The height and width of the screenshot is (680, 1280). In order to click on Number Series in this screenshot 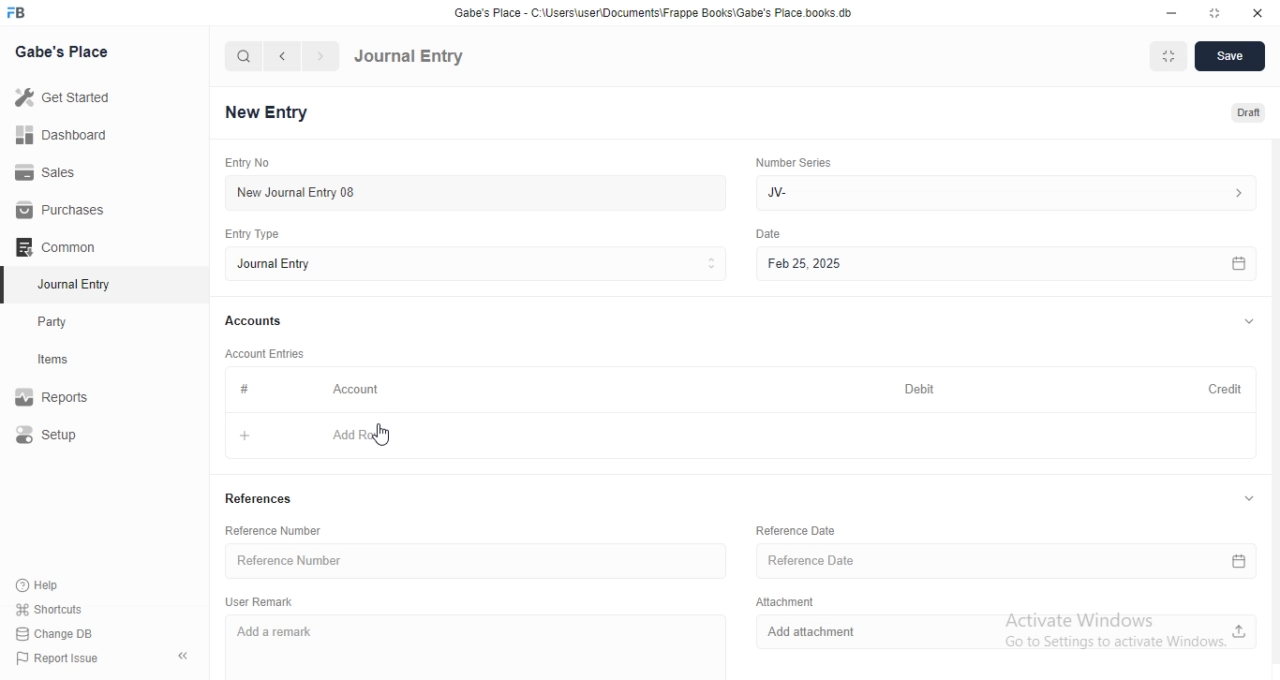, I will do `click(793, 164)`.